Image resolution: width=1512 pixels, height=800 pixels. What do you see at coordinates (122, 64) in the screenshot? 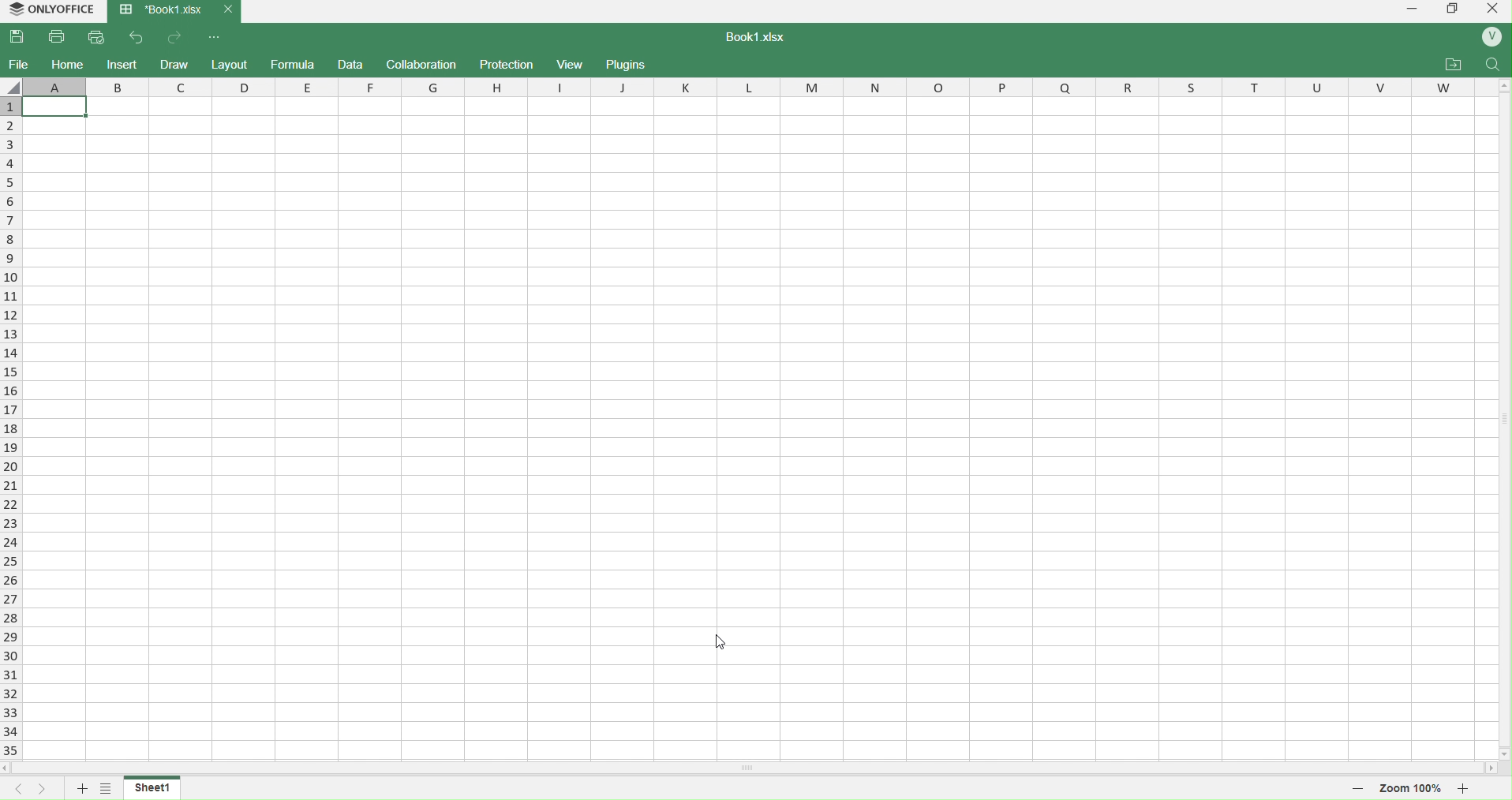
I see `insert` at bounding box center [122, 64].